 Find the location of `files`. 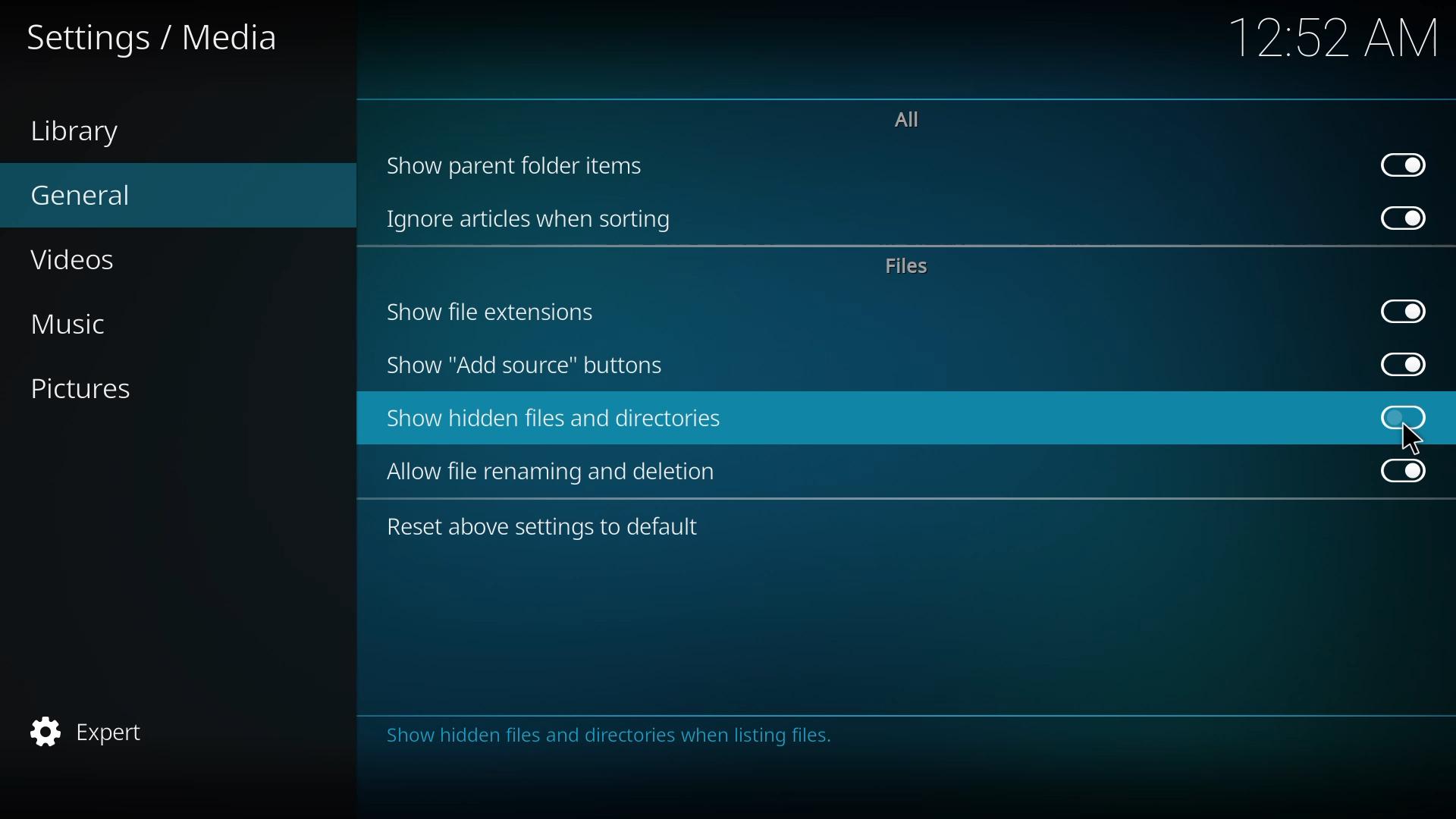

files is located at coordinates (912, 265).